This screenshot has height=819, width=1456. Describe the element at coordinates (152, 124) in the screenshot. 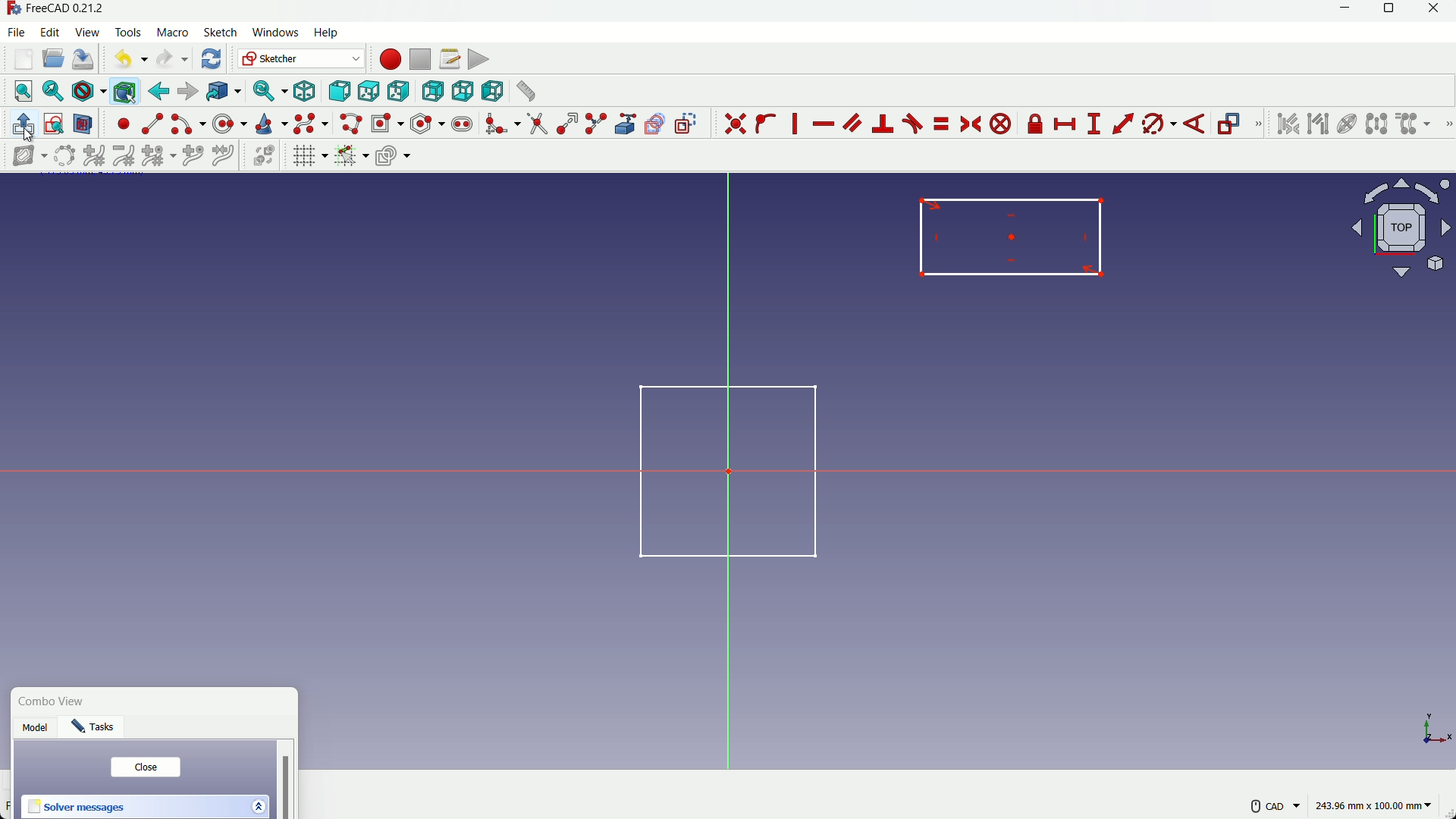

I see `create line` at that location.